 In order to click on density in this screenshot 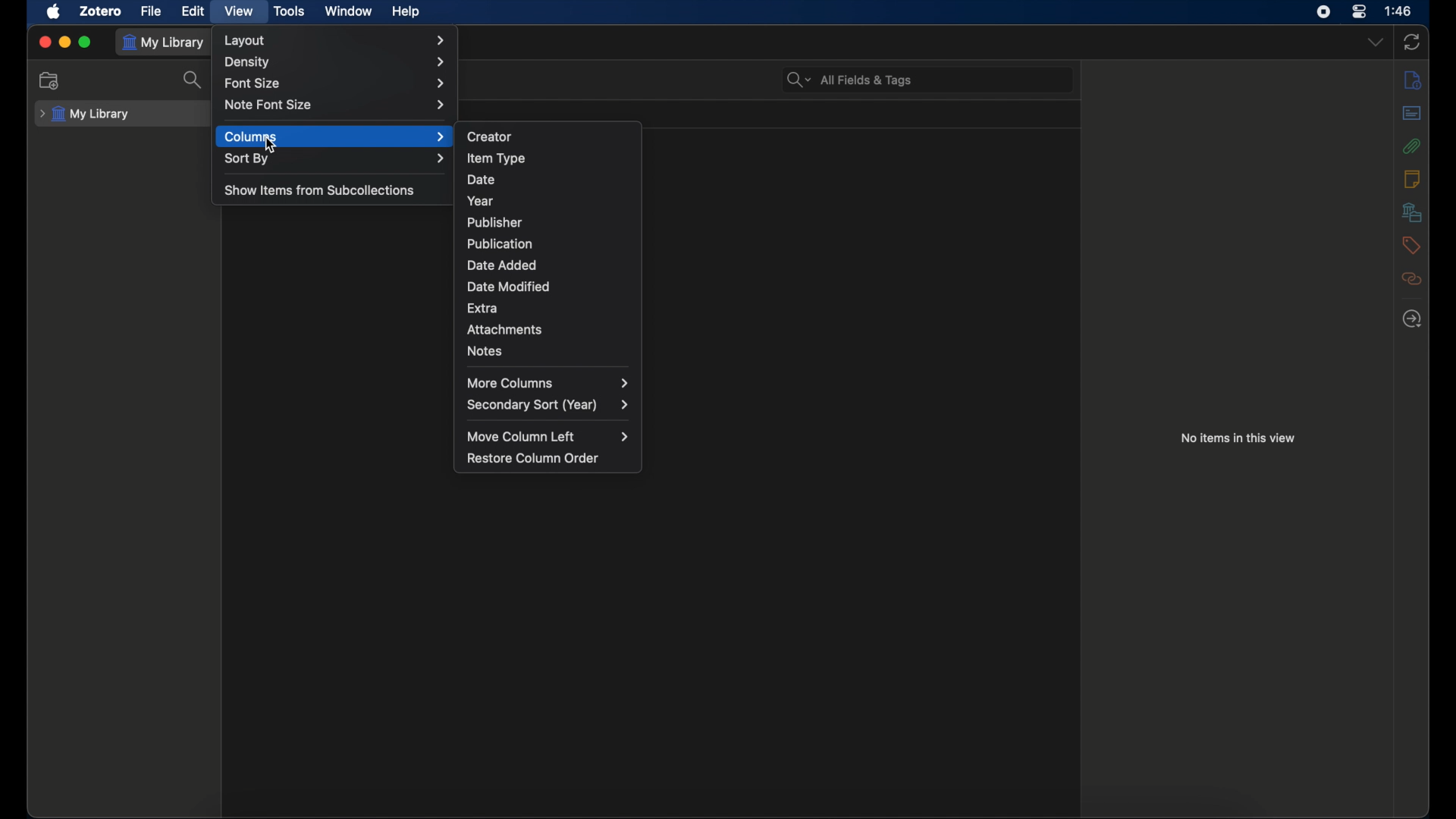, I will do `click(335, 61)`.